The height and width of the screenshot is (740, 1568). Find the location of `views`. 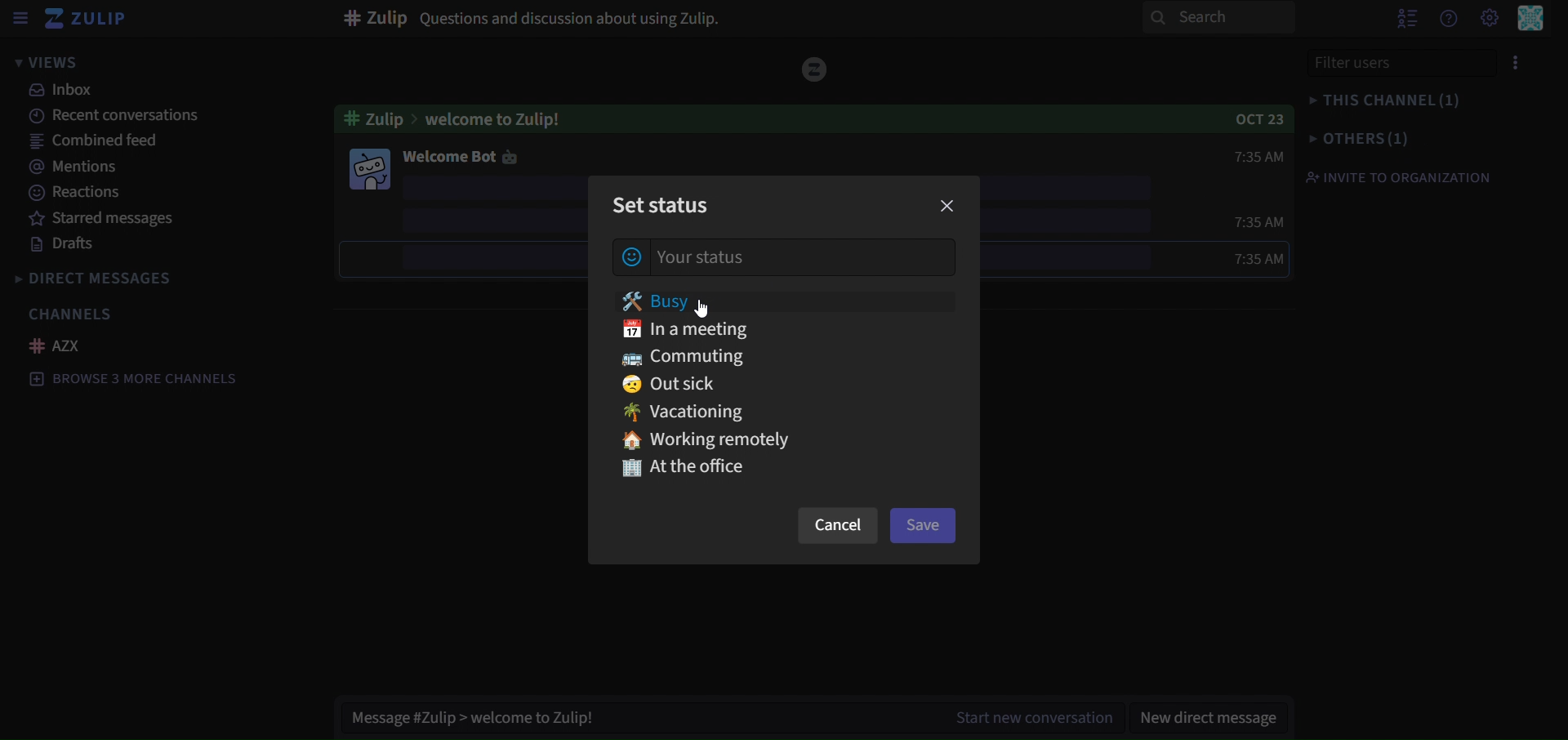

views is located at coordinates (62, 64).